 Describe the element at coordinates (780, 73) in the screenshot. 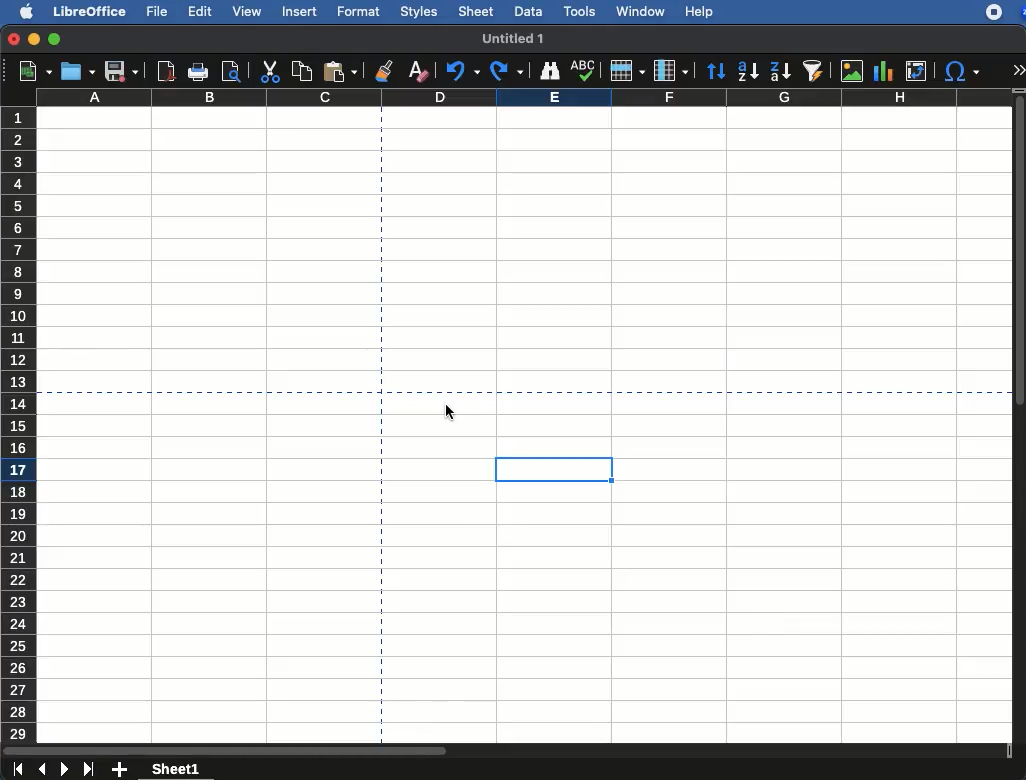

I see `descending` at that location.